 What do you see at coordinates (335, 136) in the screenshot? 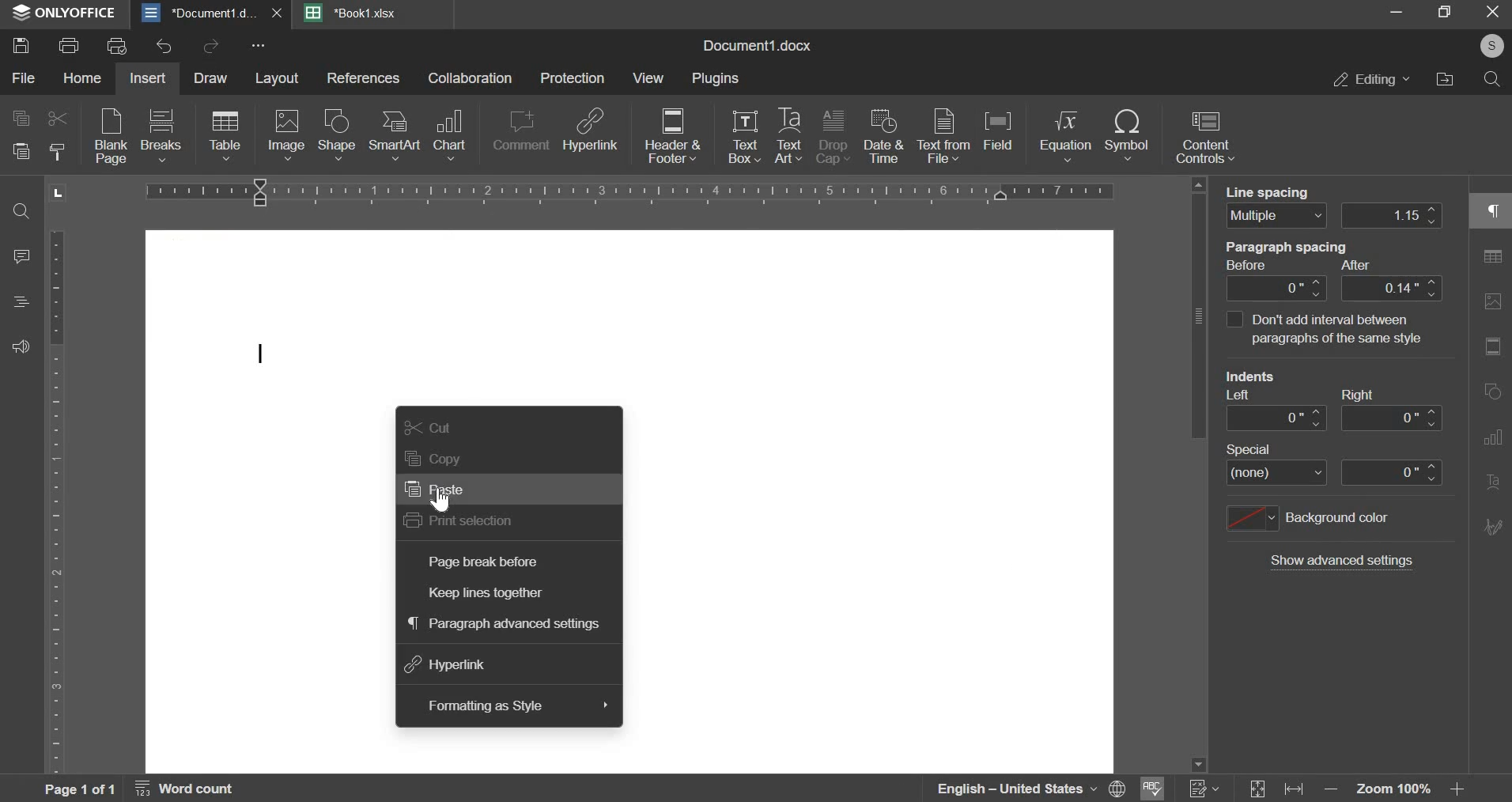
I see `shape` at bounding box center [335, 136].